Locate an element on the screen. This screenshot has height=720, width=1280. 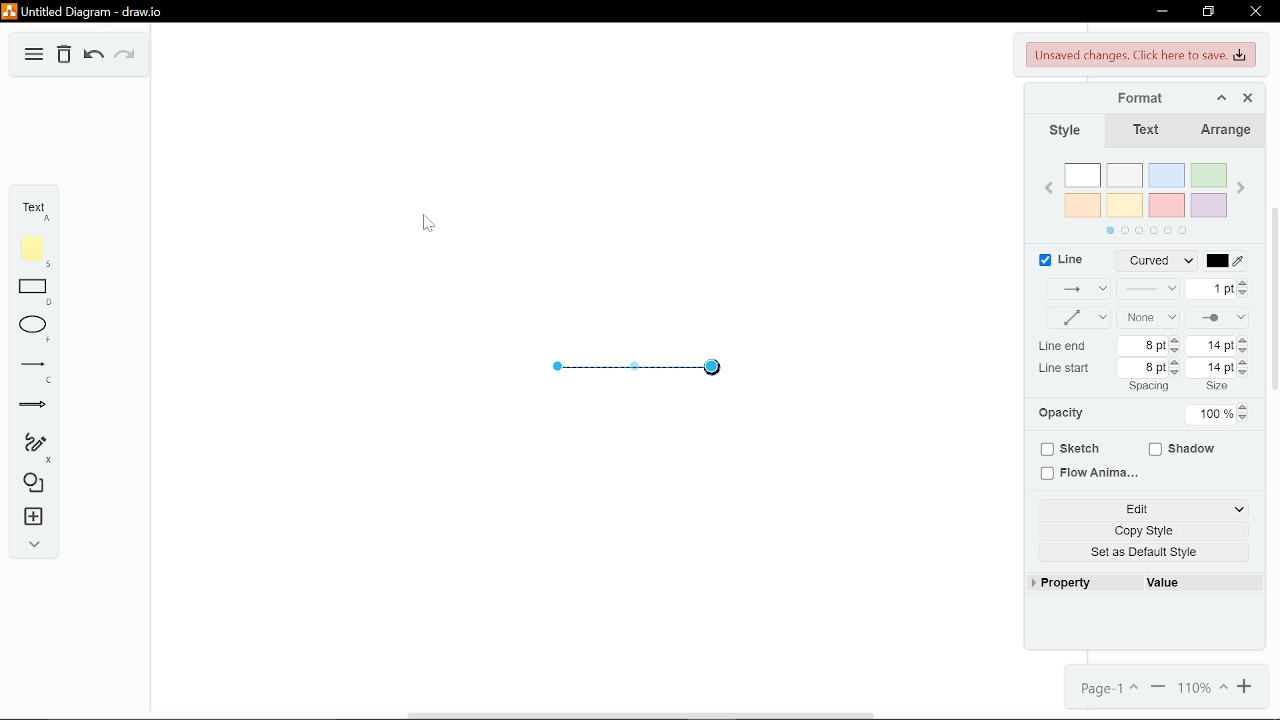
Increase opacity is located at coordinates (1244, 407).